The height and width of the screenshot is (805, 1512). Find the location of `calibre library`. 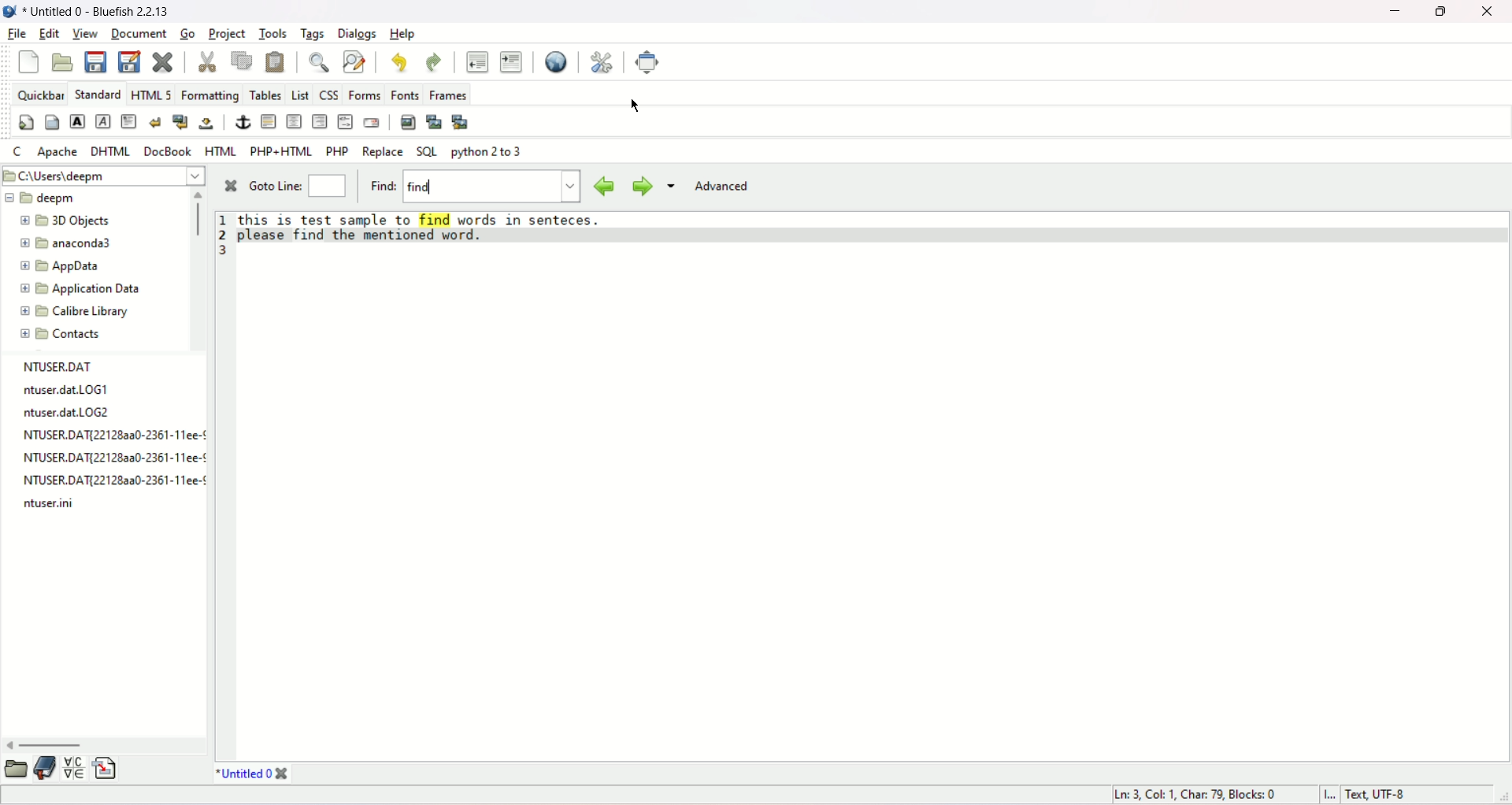

calibre library is located at coordinates (76, 312).